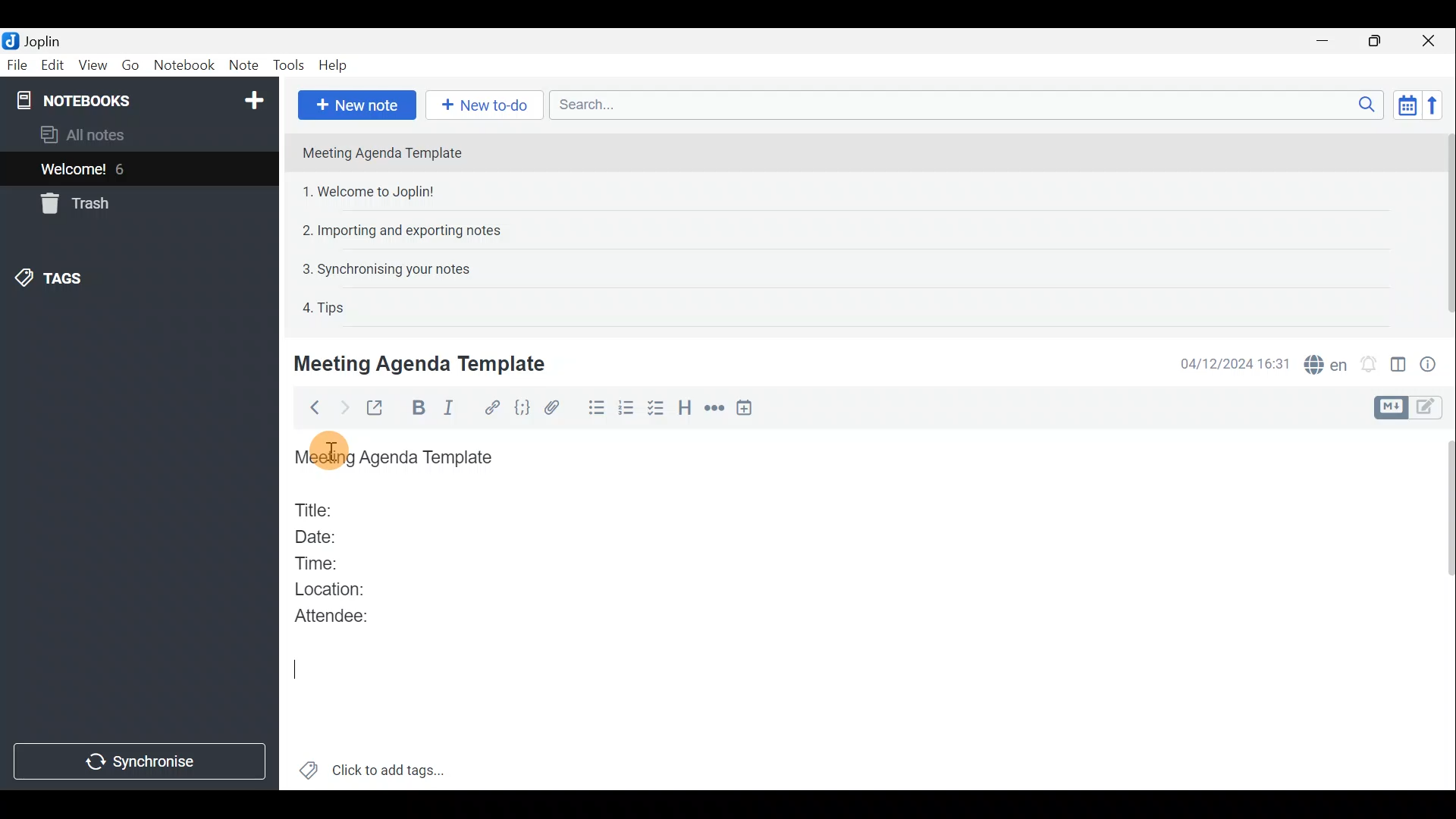 This screenshot has height=819, width=1456. What do you see at coordinates (748, 410) in the screenshot?
I see `Insert time` at bounding box center [748, 410].